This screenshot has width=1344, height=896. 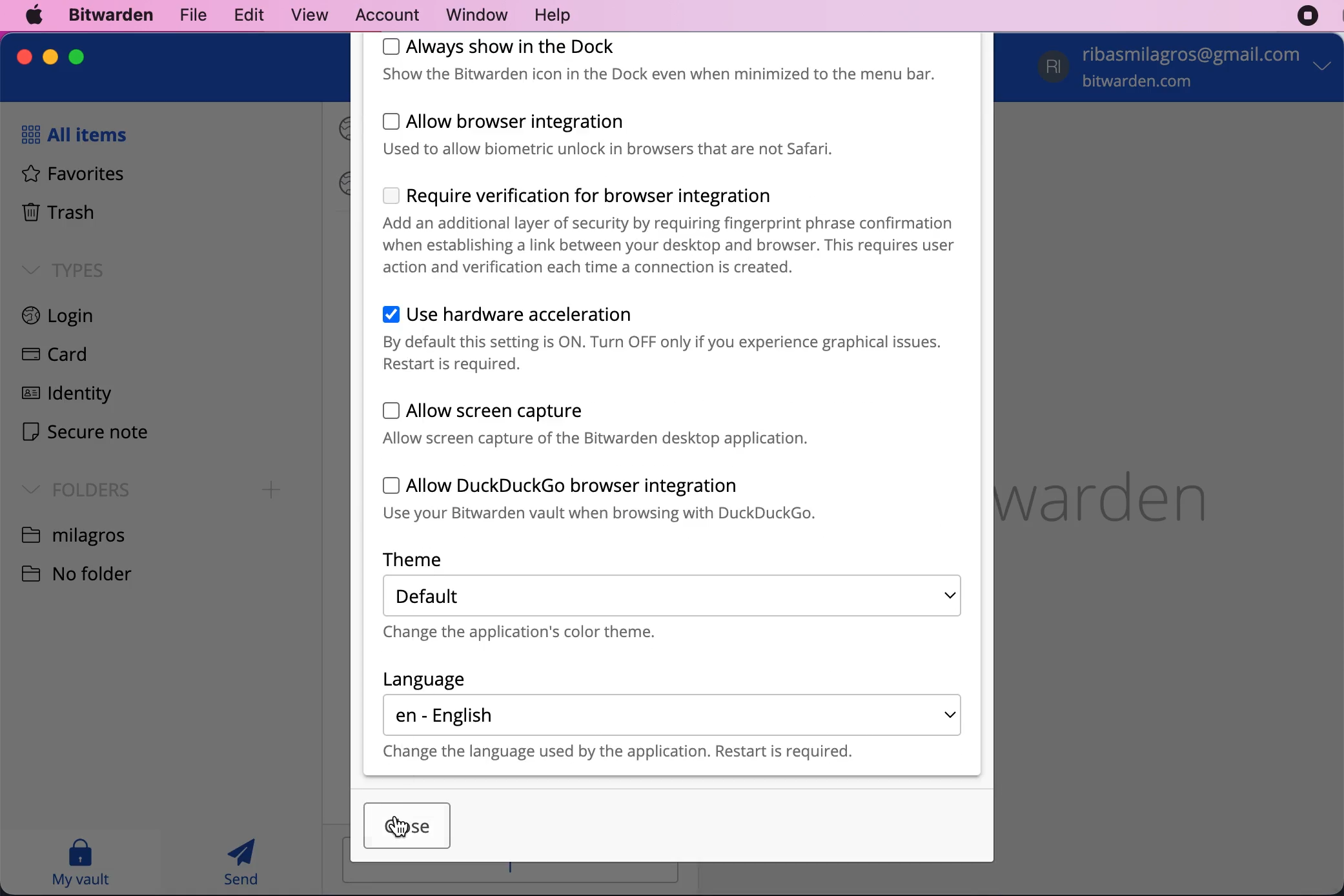 What do you see at coordinates (243, 862) in the screenshot?
I see `send` at bounding box center [243, 862].